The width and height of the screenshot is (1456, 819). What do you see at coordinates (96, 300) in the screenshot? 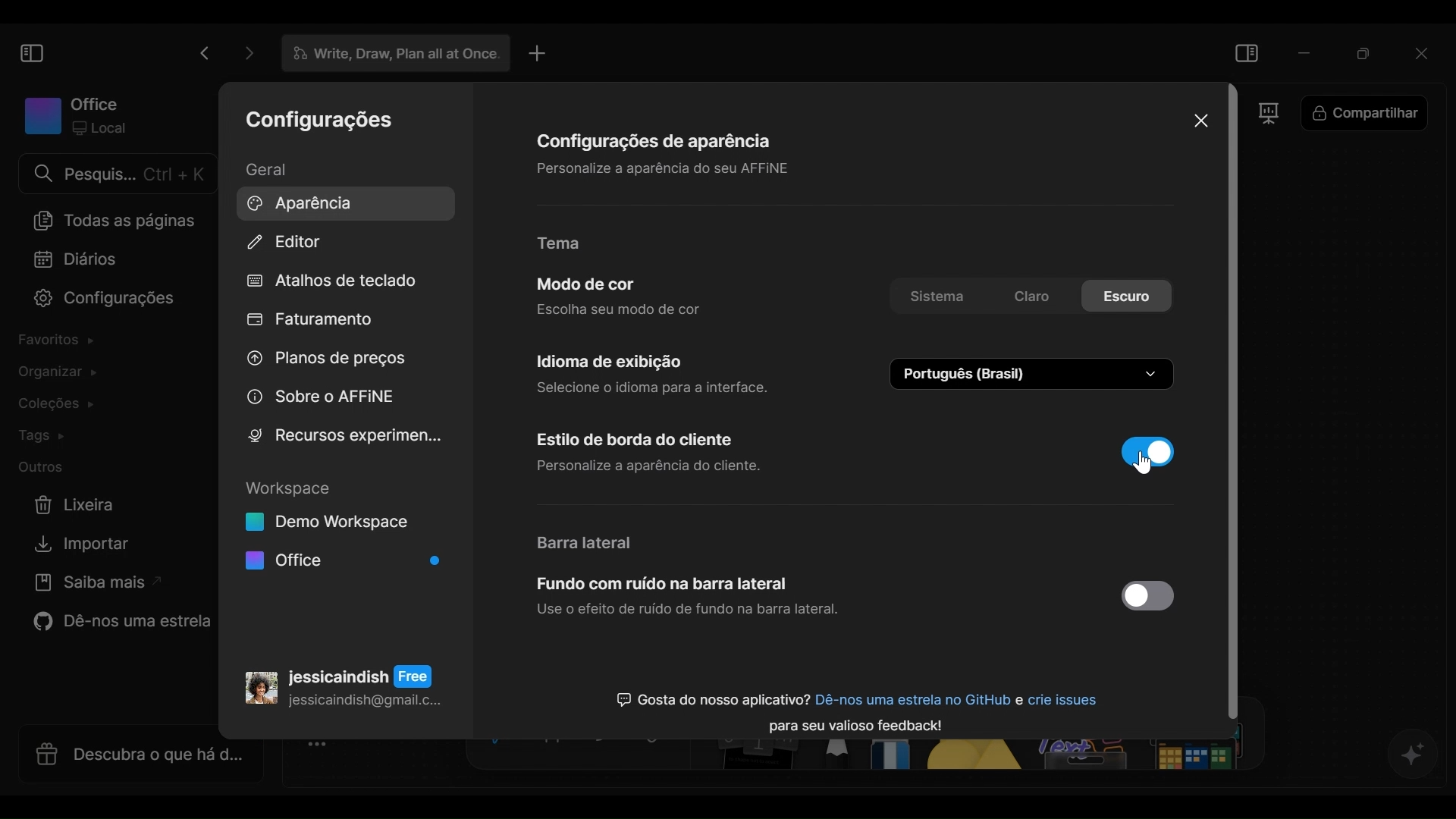
I see `Settings` at bounding box center [96, 300].